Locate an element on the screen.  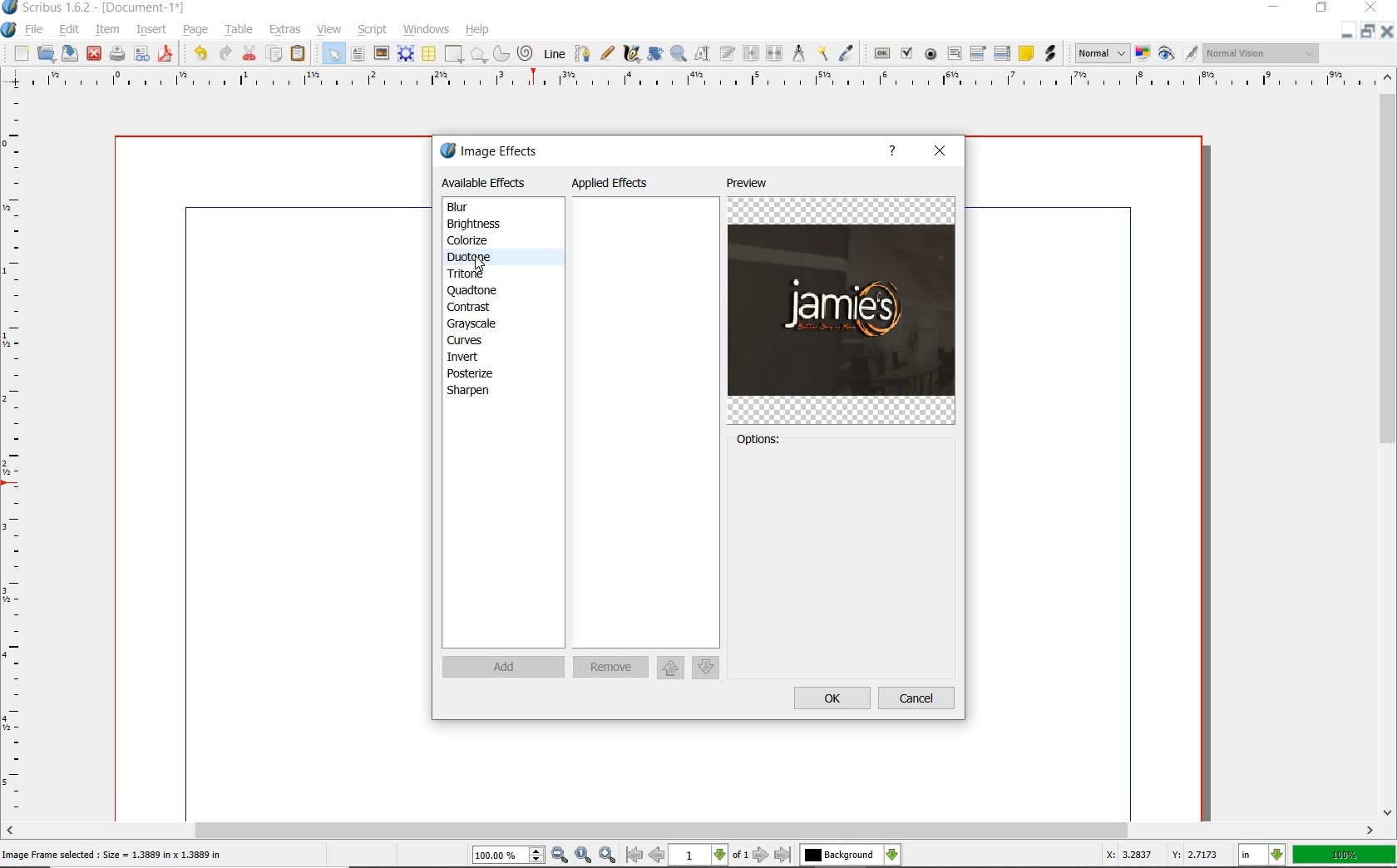
scrollbar is located at coordinates (1389, 445).